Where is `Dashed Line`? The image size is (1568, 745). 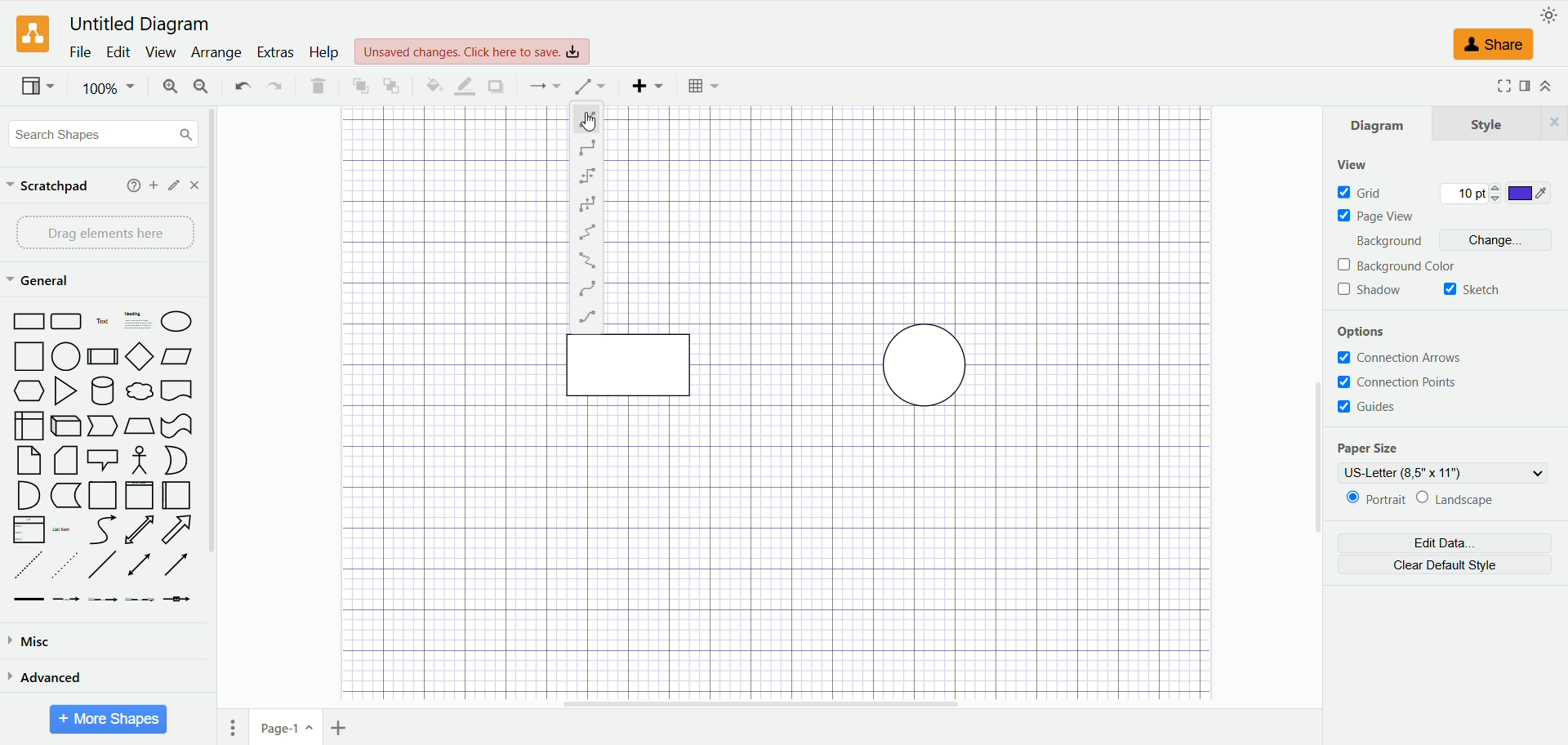 Dashed Line is located at coordinates (31, 564).